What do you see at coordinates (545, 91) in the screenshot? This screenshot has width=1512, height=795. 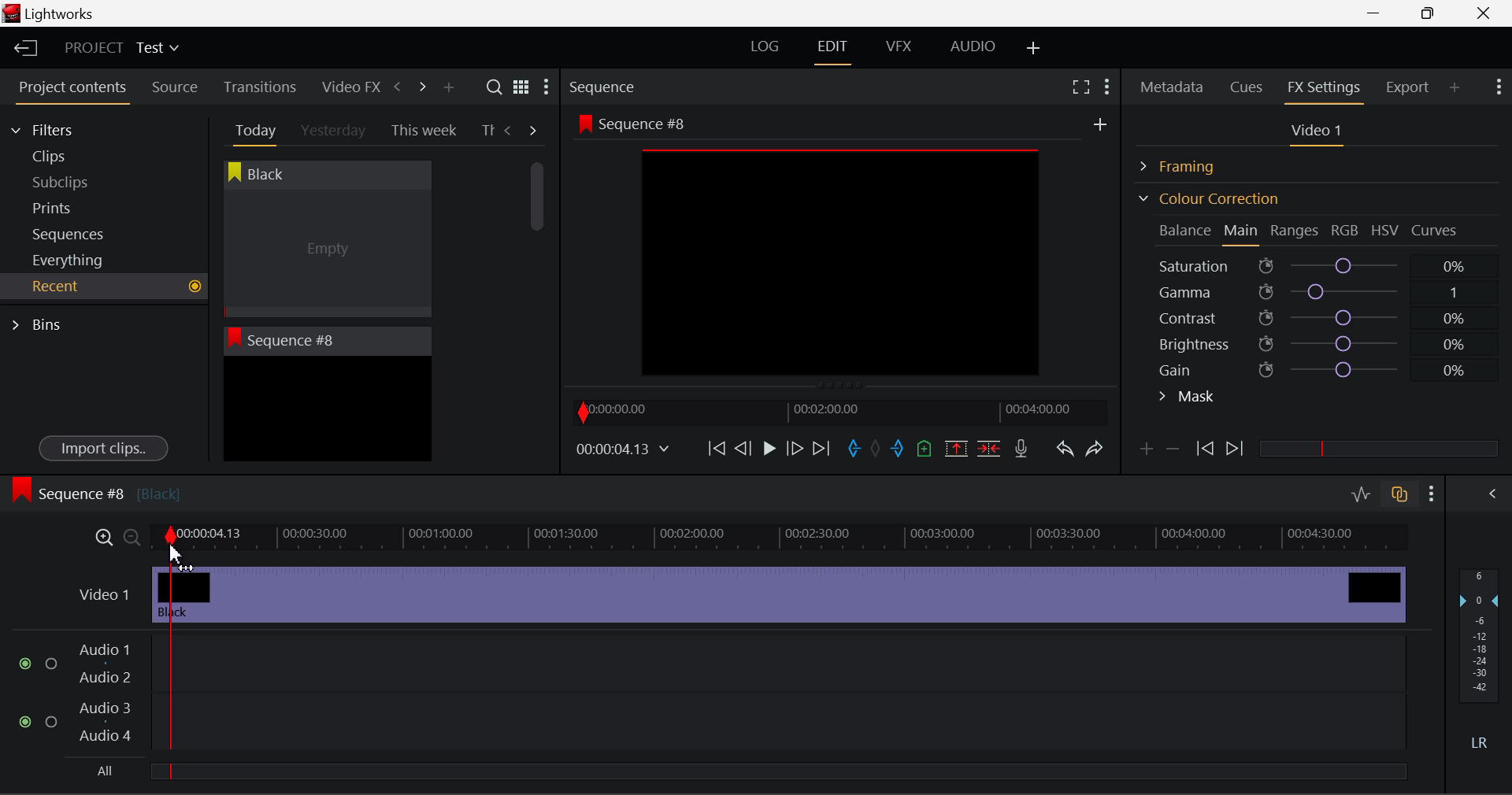 I see `Show Settings` at bounding box center [545, 91].